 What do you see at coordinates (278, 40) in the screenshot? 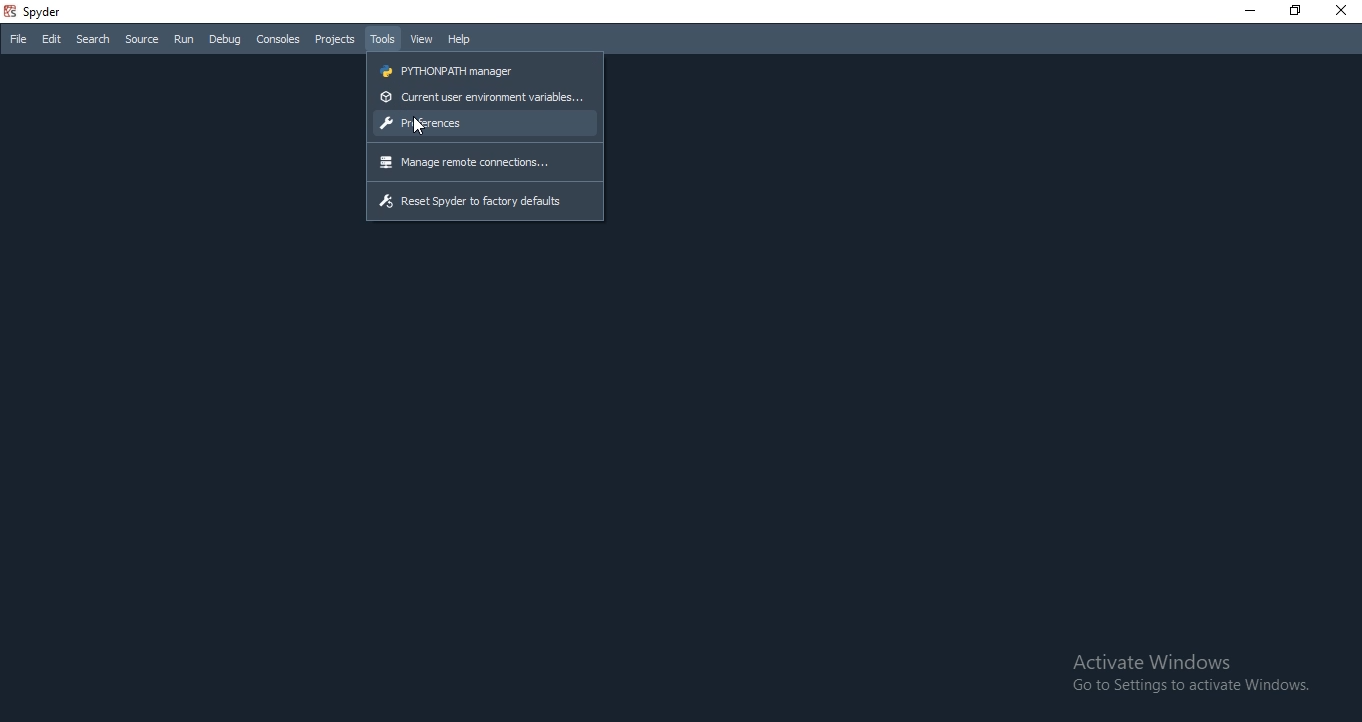
I see `Consoles` at bounding box center [278, 40].